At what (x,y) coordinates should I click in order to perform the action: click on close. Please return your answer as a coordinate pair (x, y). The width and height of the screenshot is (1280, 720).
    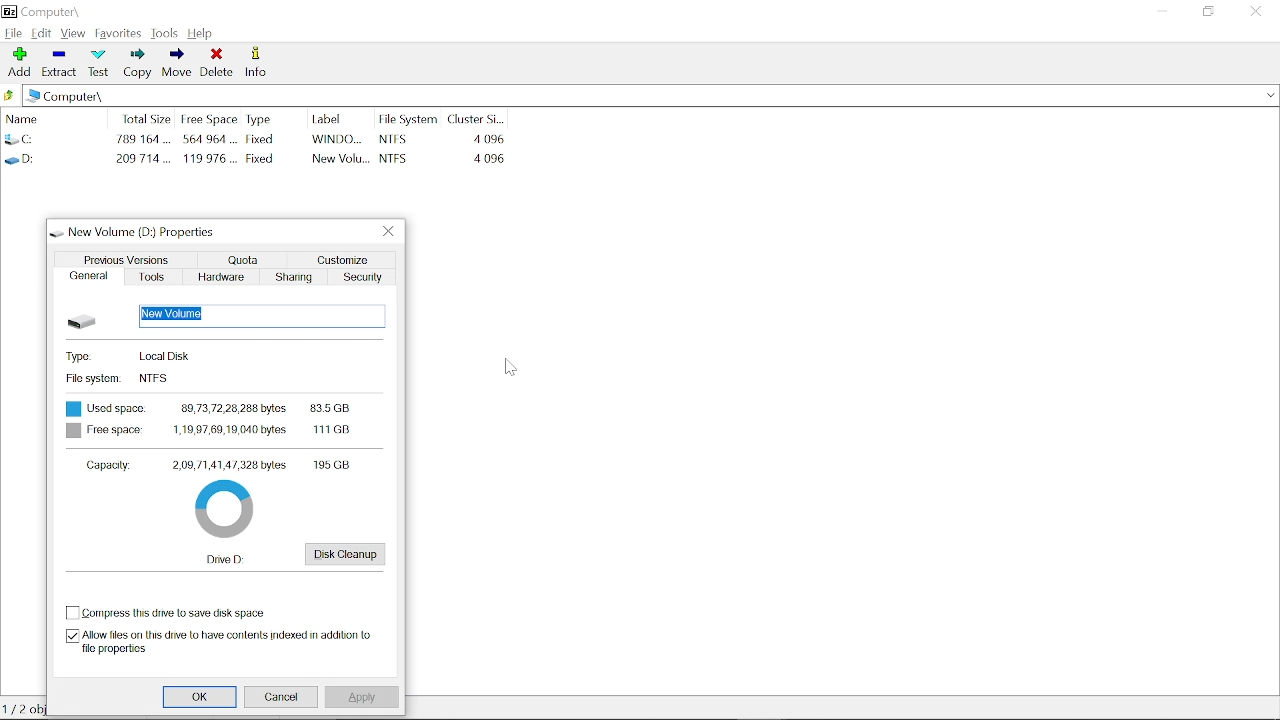
    Looking at the image, I should click on (1254, 12).